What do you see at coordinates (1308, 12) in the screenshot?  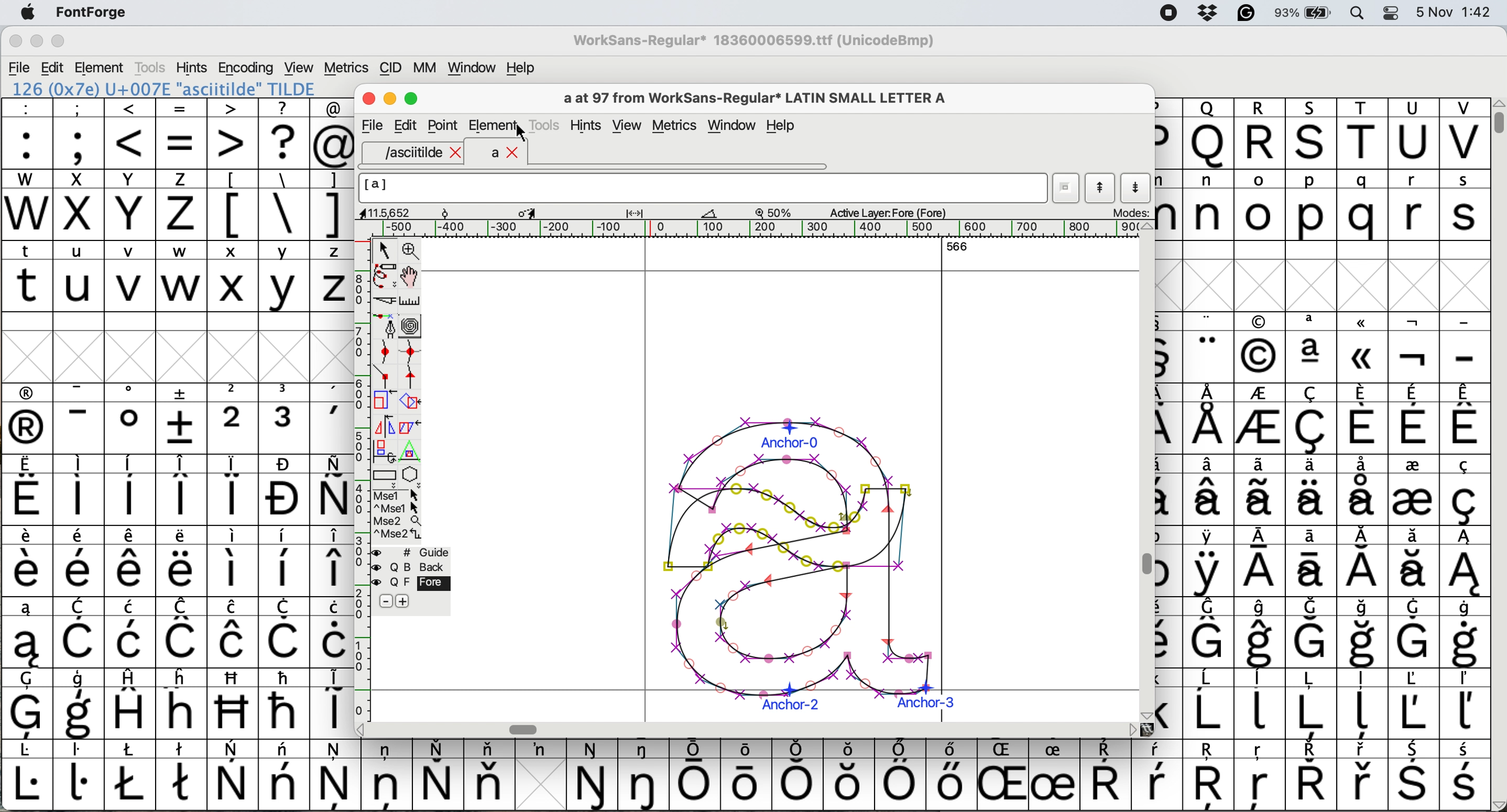 I see `battery` at bounding box center [1308, 12].